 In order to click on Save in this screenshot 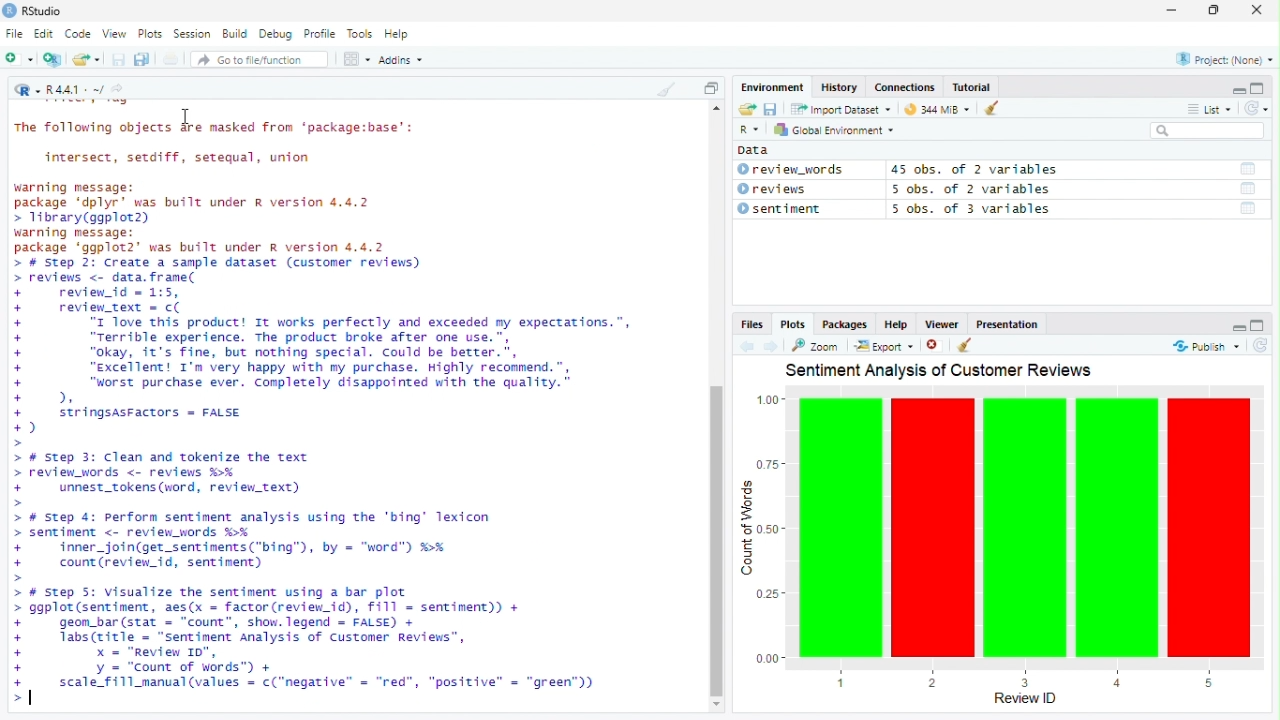, I will do `click(770, 109)`.